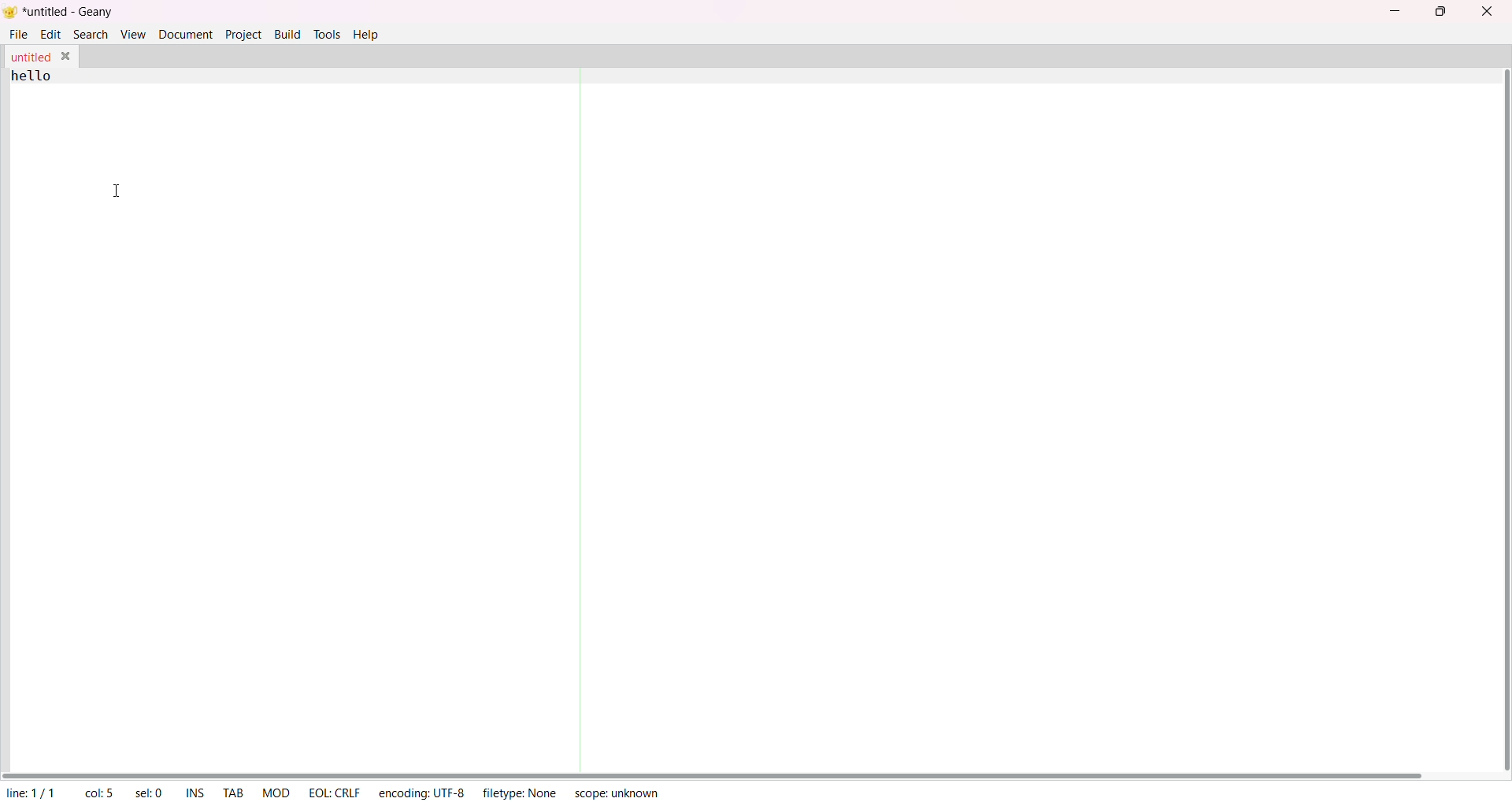 This screenshot has width=1512, height=802. What do you see at coordinates (65, 57) in the screenshot?
I see `close` at bounding box center [65, 57].